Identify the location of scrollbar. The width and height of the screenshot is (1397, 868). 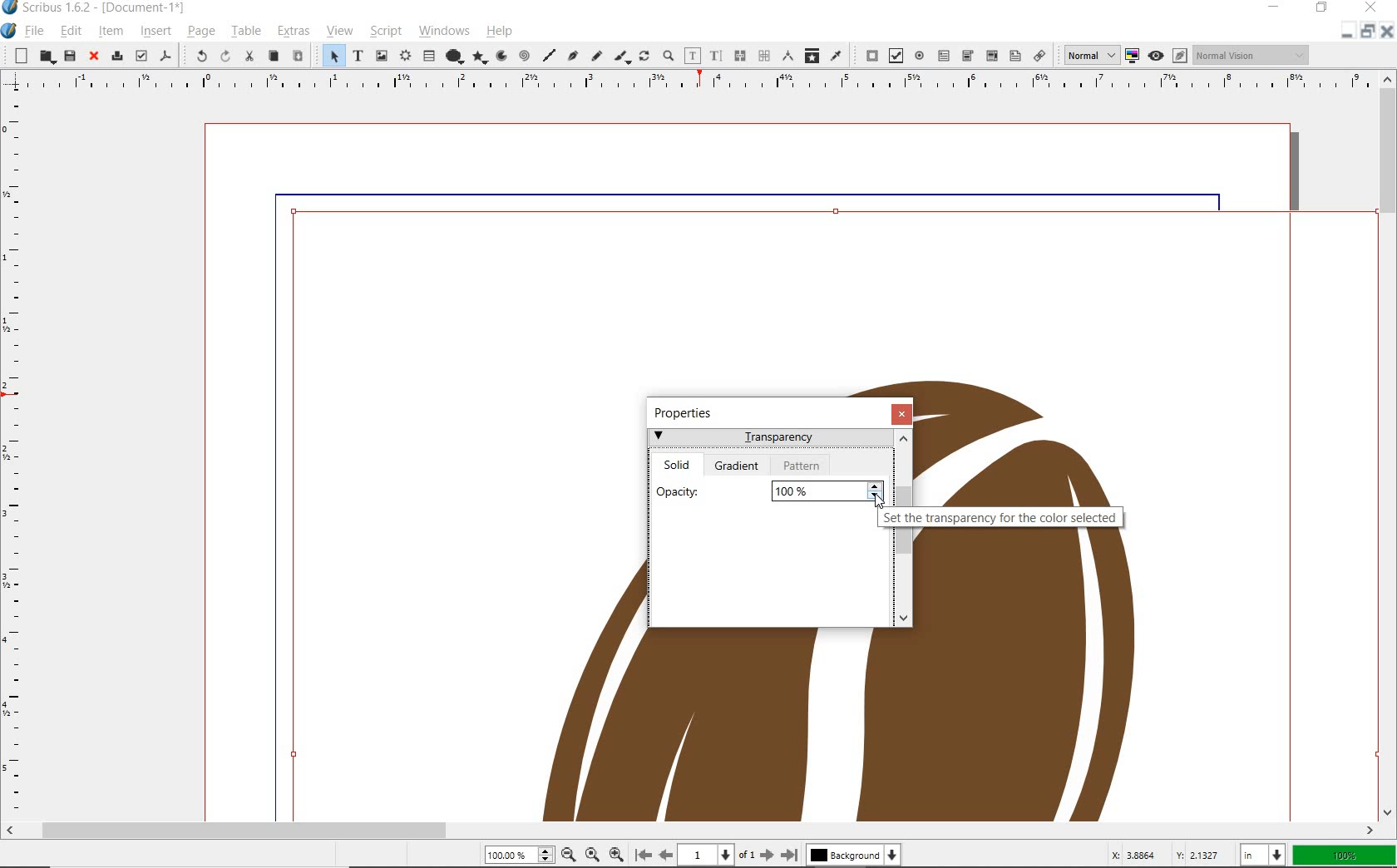
(1389, 446).